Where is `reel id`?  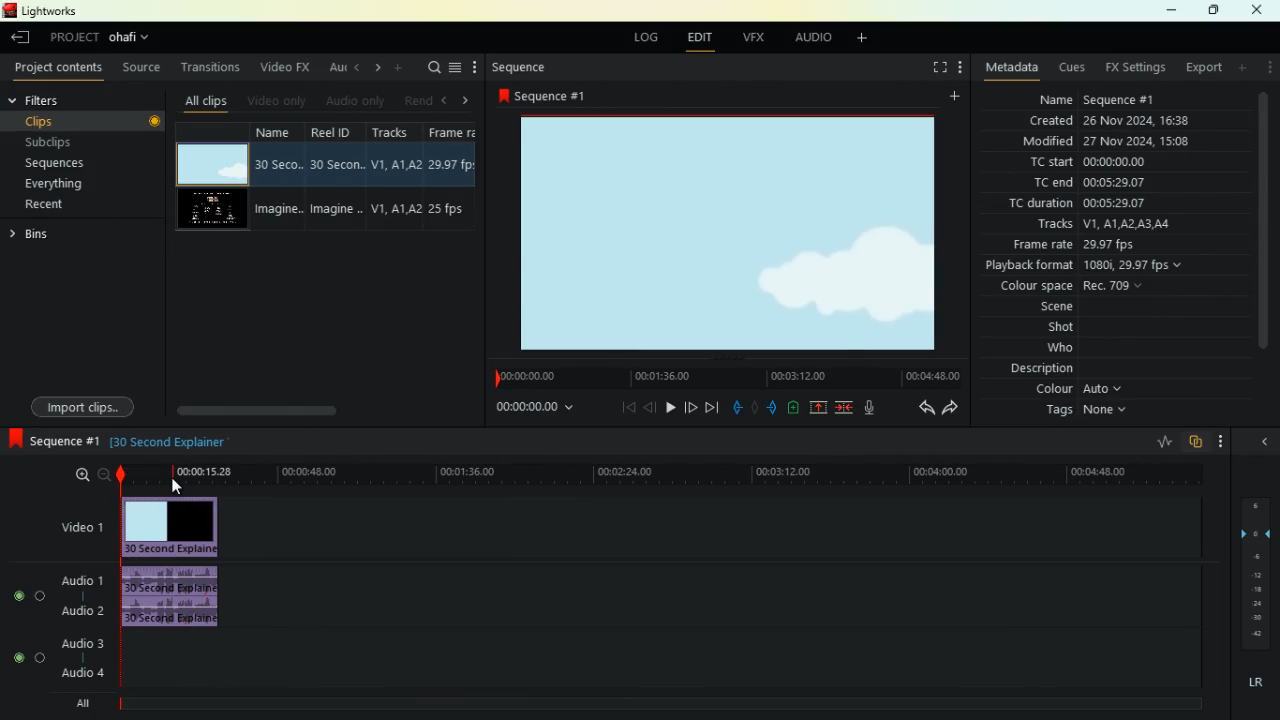
reel id is located at coordinates (338, 133).